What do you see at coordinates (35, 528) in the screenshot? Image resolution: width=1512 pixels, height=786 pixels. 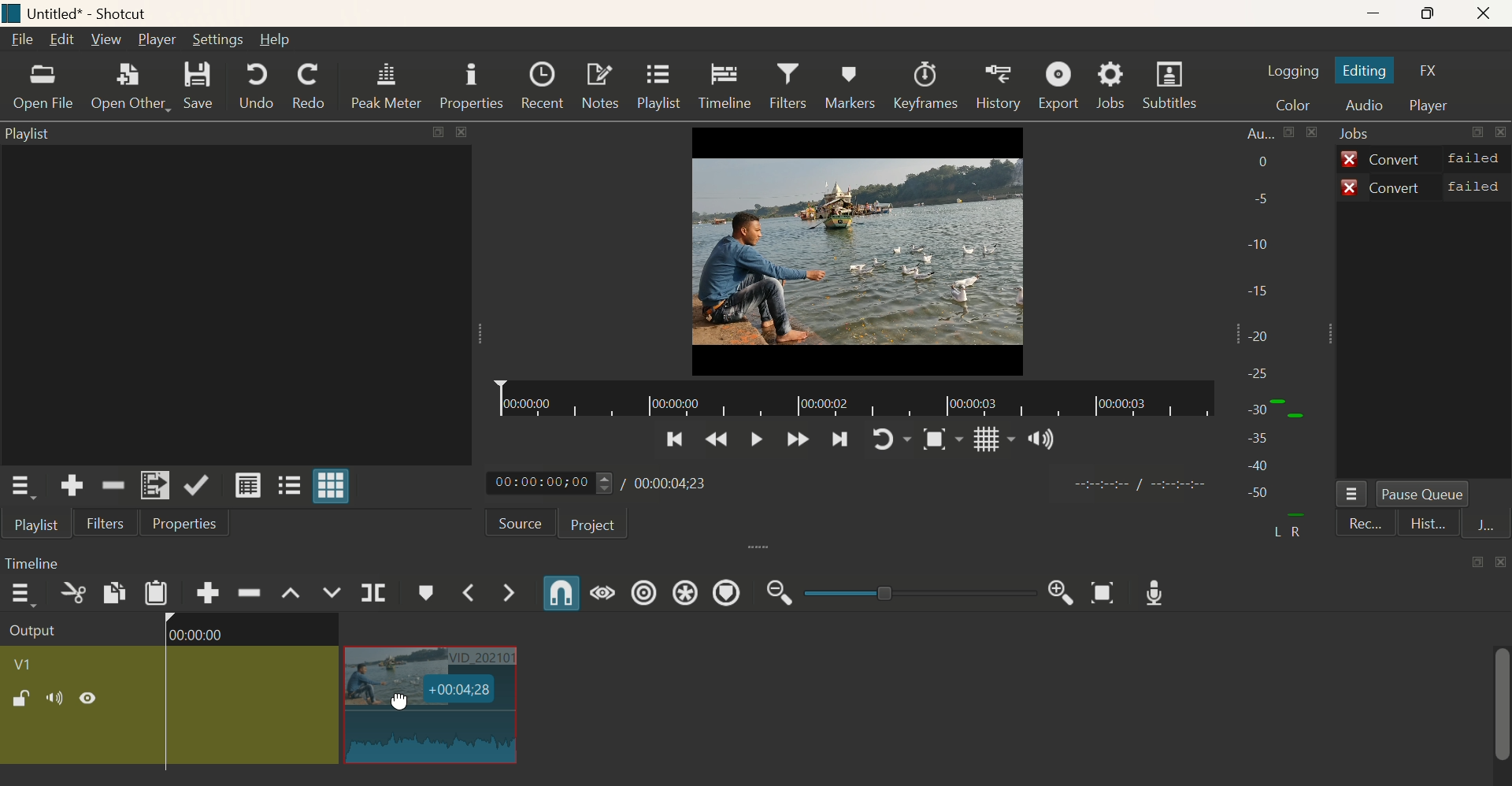 I see `Playlist` at bounding box center [35, 528].